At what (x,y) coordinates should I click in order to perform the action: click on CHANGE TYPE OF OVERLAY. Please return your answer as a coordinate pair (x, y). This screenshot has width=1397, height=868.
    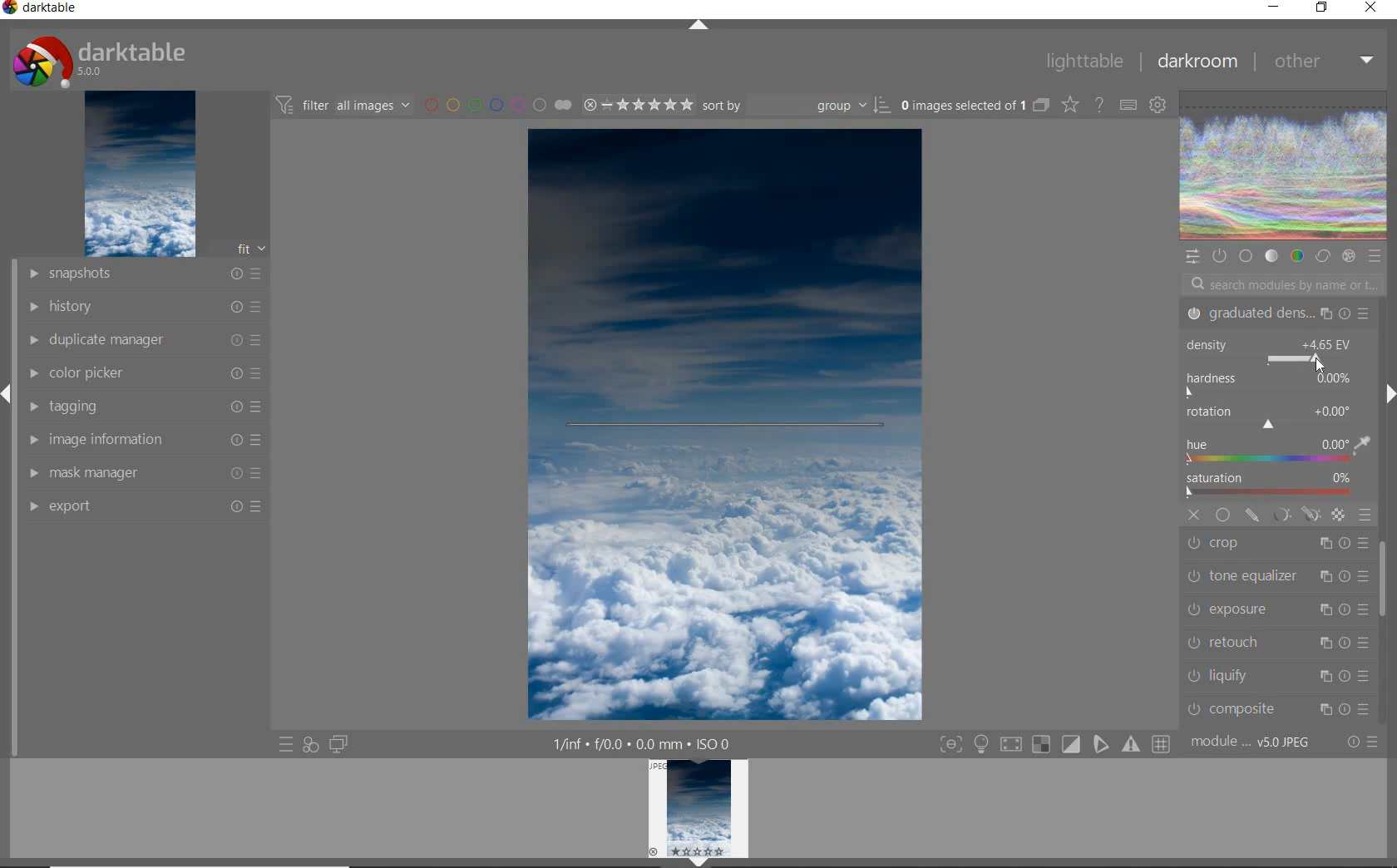
    Looking at the image, I should click on (1069, 106).